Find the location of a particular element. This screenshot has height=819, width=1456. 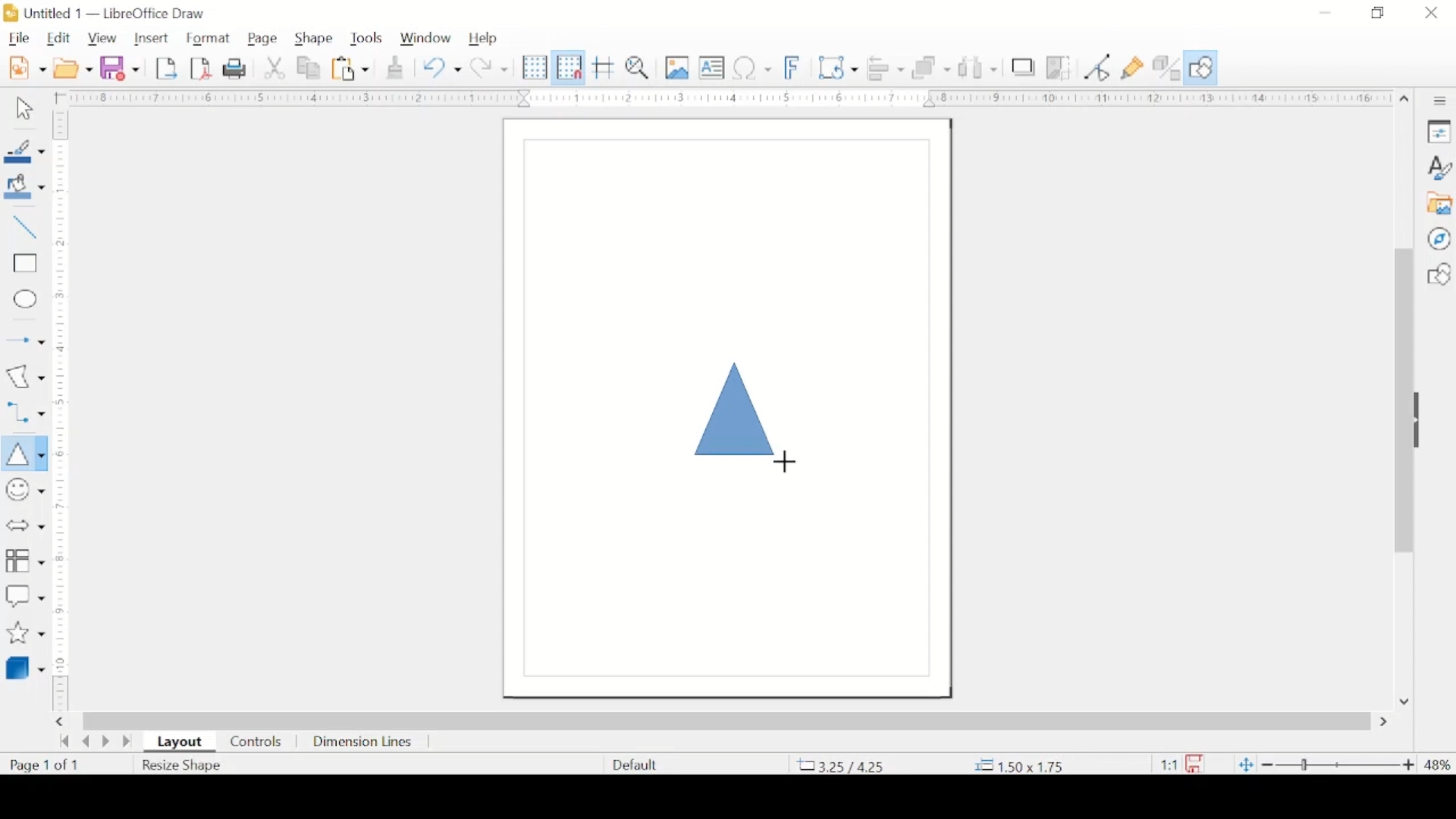

this document has been modified is located at coordinates (1178, 761).